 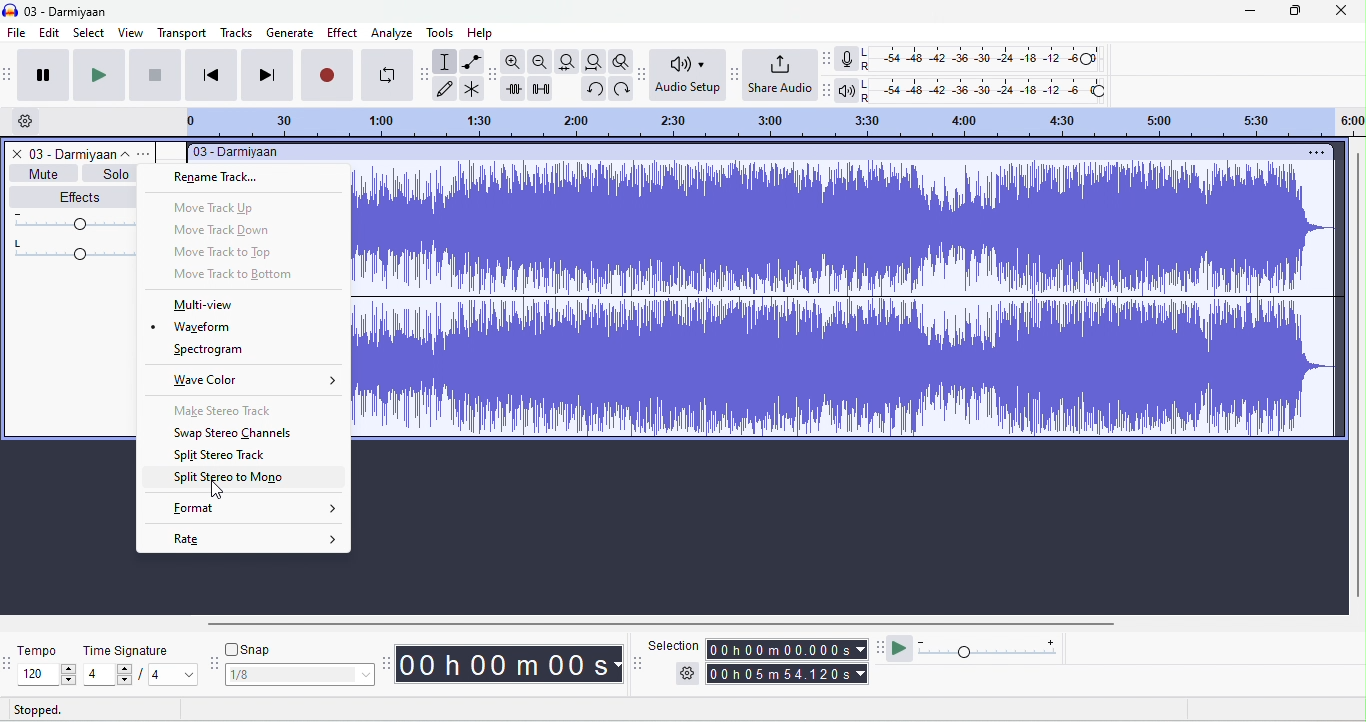 I want to click on audacity tools toolbar, so click(x=424, y=76).